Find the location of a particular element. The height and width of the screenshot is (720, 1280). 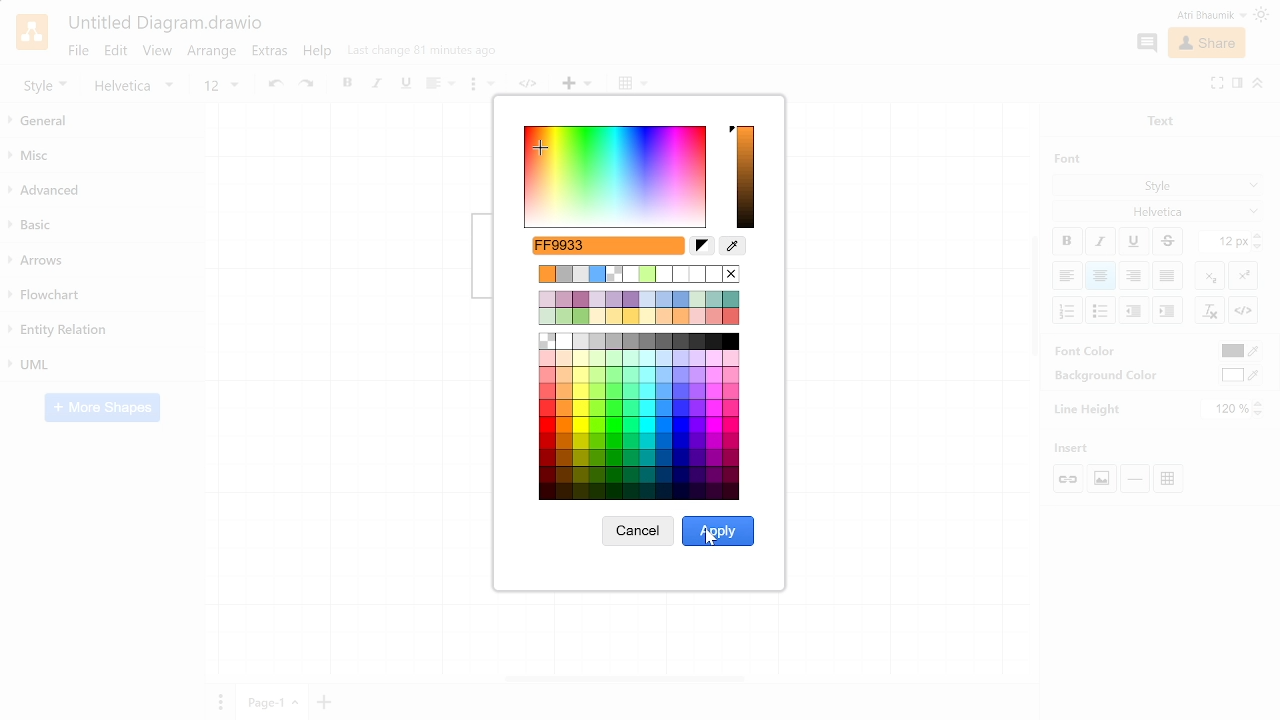

Strikethrough is located at coordinates (1168, 241).